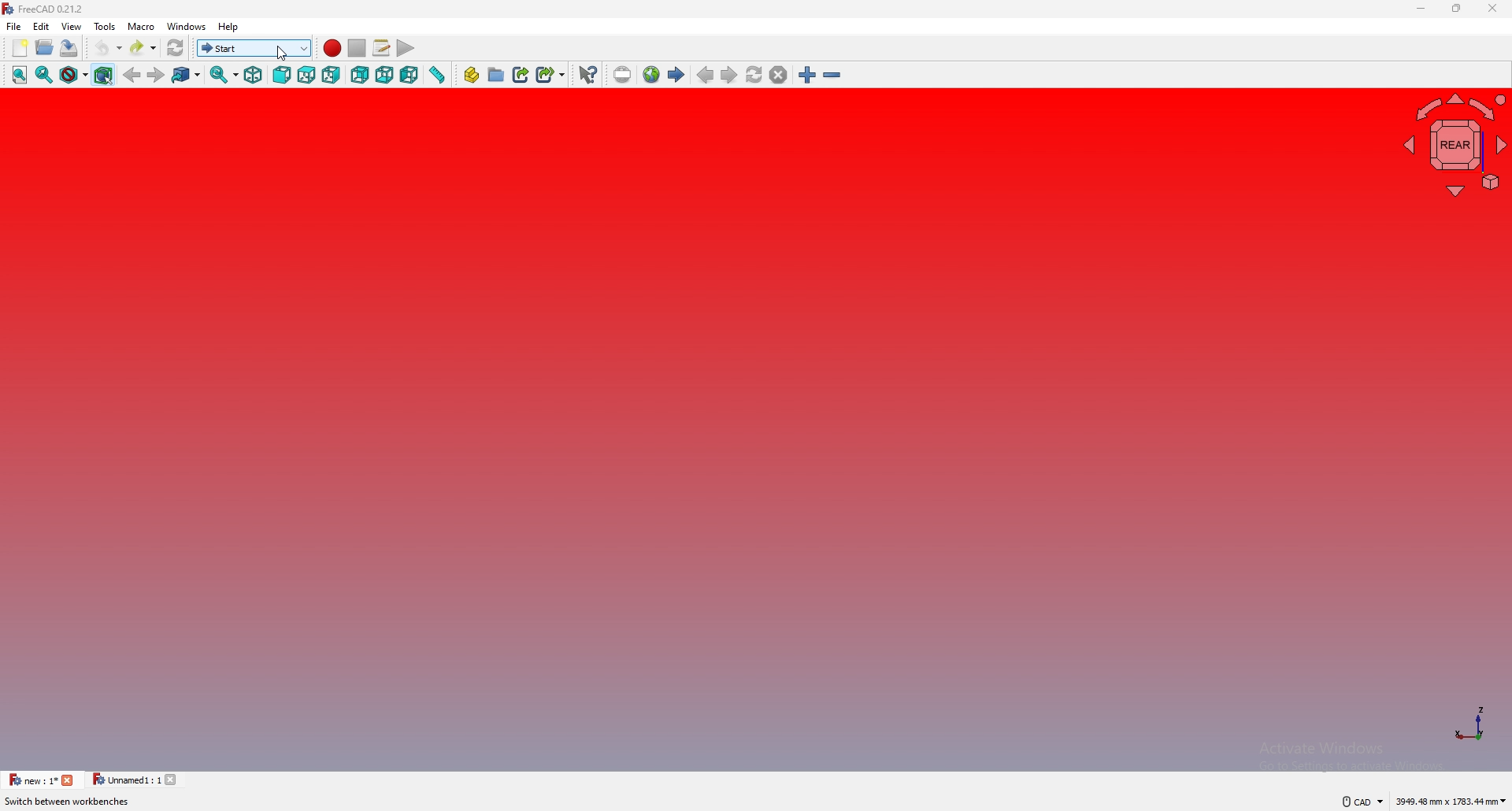  I want to click on previous page, so click(705, 74).